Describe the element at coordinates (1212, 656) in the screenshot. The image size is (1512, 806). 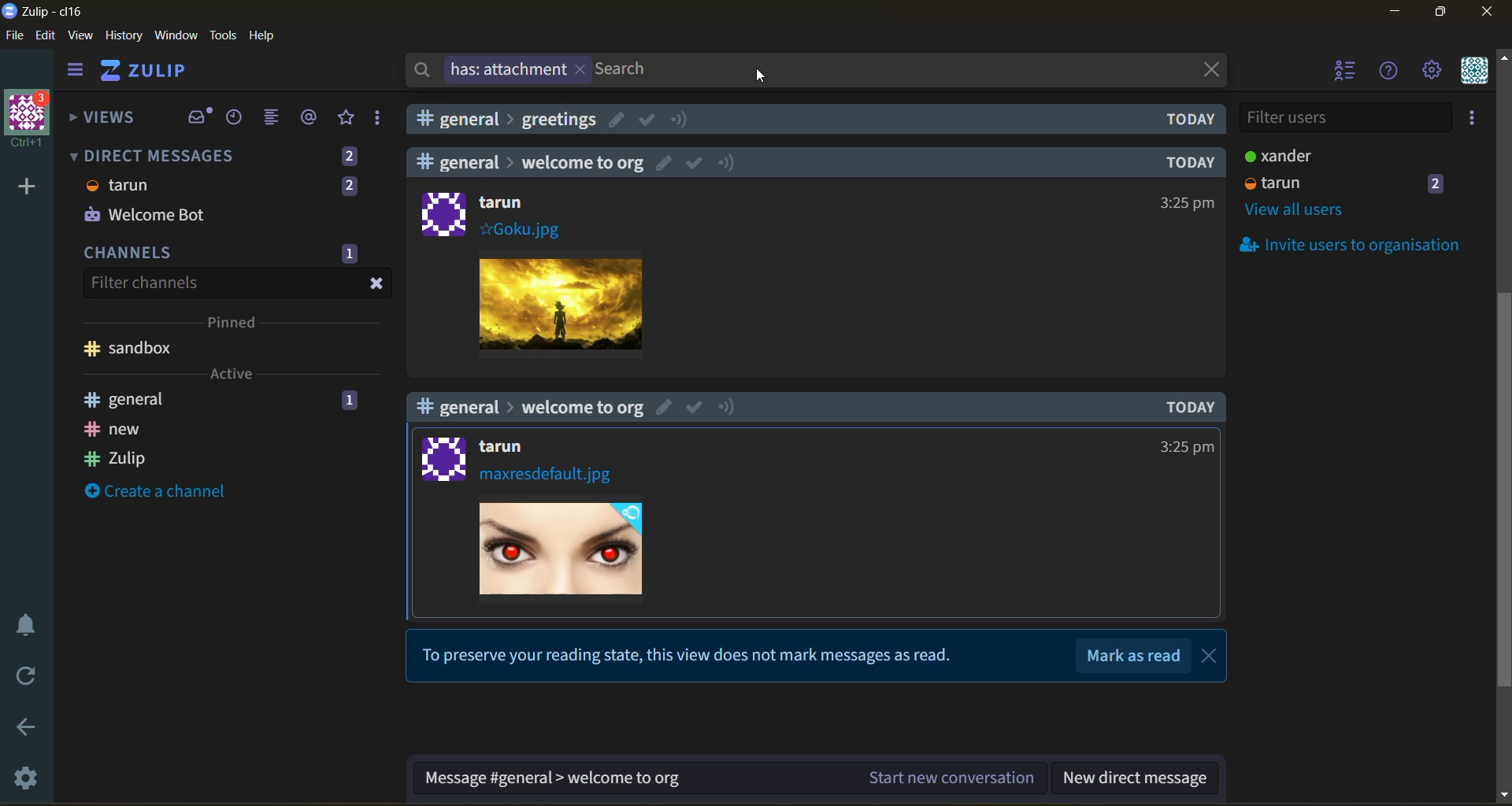
I see `close` at that location.